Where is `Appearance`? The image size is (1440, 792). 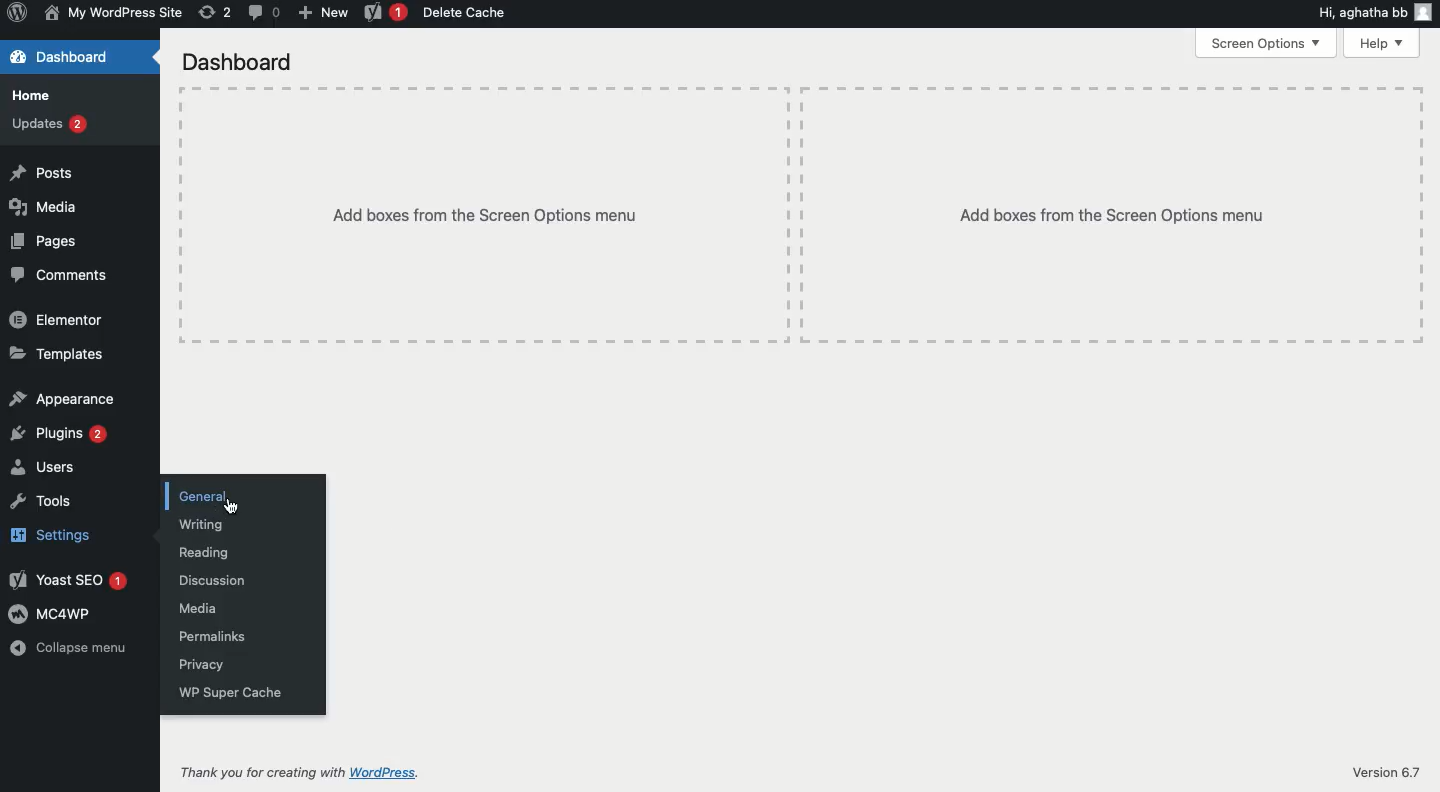
Appearance is located at coordinates (61, 399).